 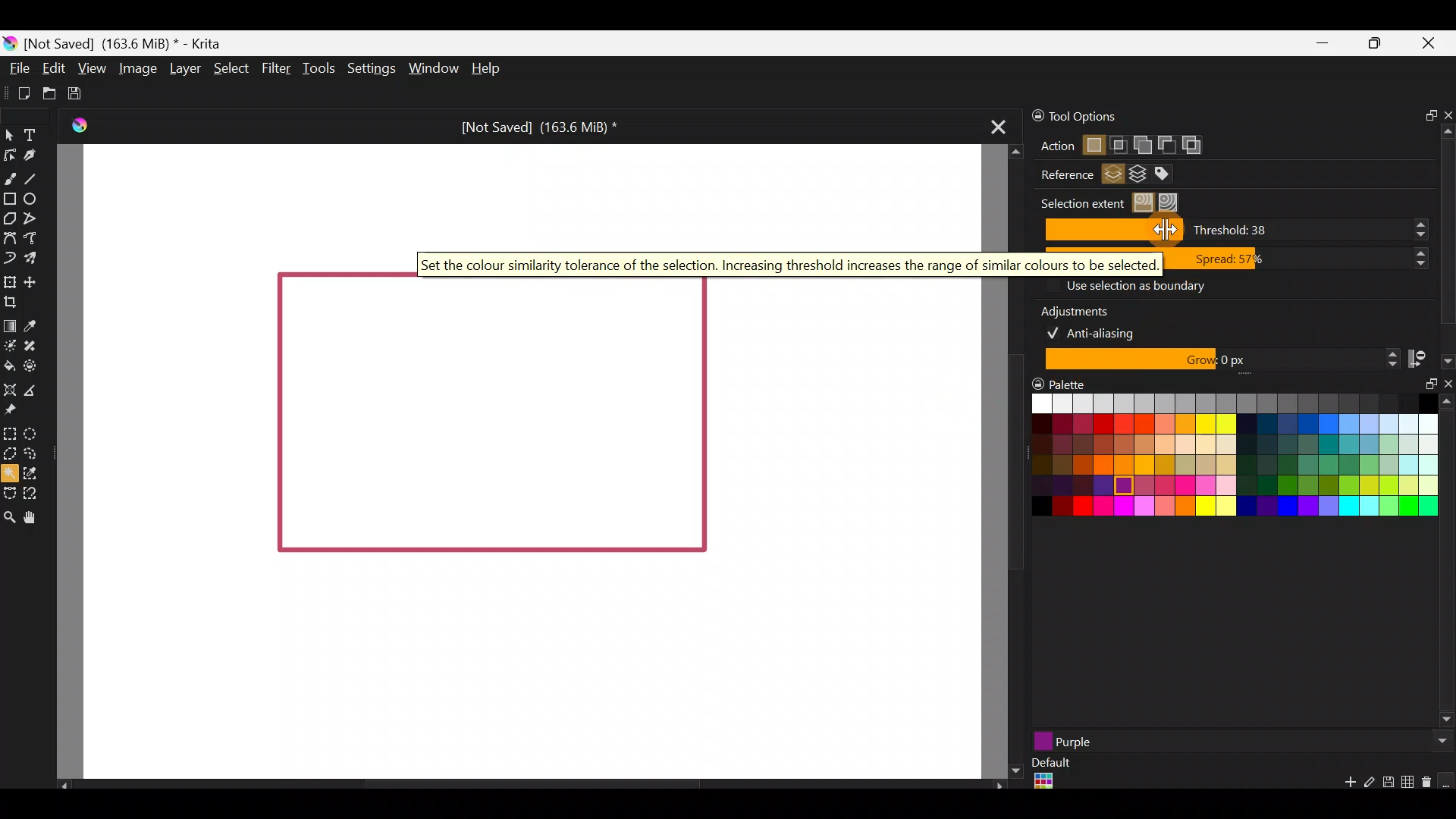 I want to click on Ellipse tool, so click(x=36, y=198).